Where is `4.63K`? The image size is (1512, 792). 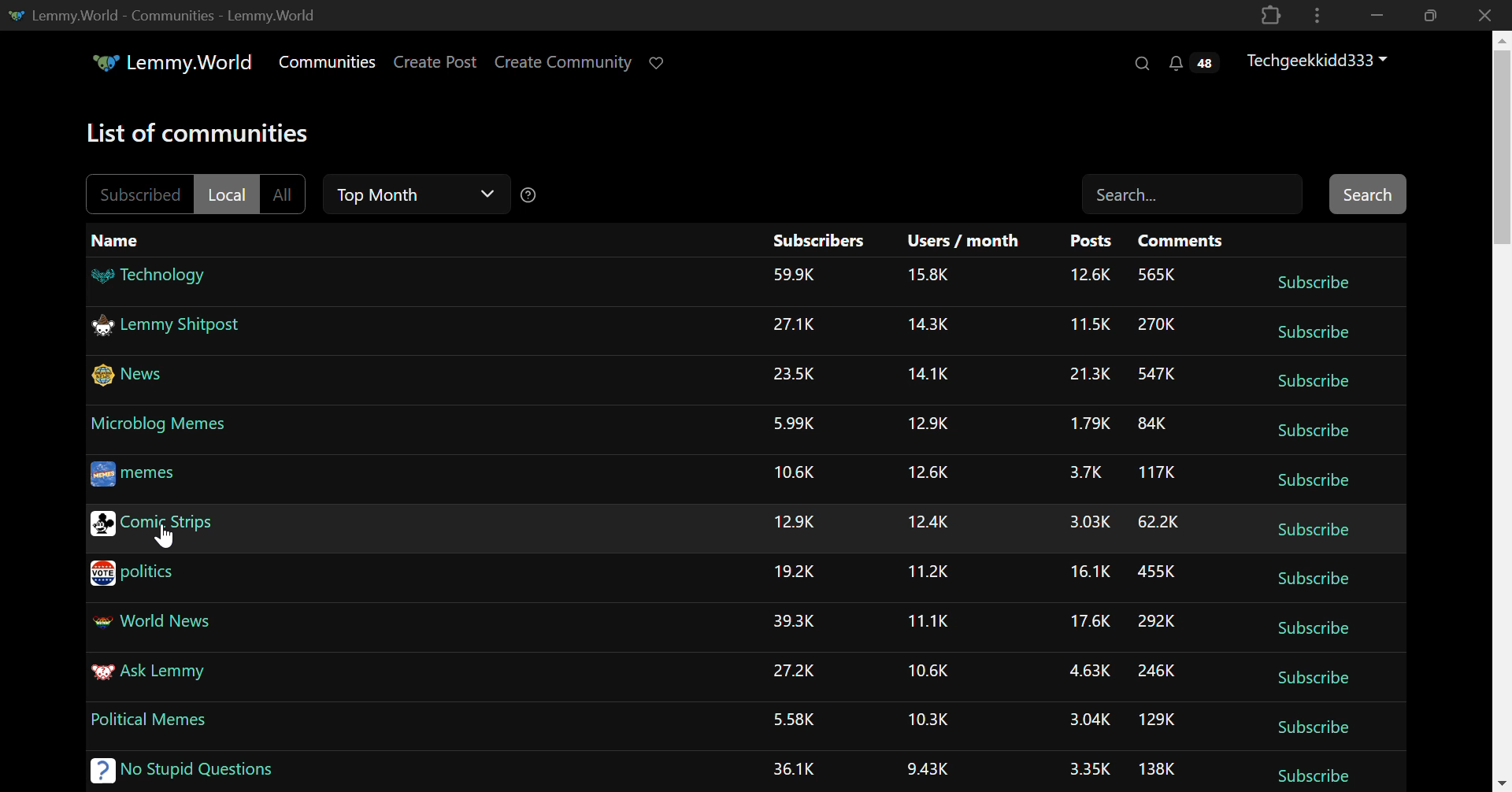
4.63K is located at coordinates (1088, 670).